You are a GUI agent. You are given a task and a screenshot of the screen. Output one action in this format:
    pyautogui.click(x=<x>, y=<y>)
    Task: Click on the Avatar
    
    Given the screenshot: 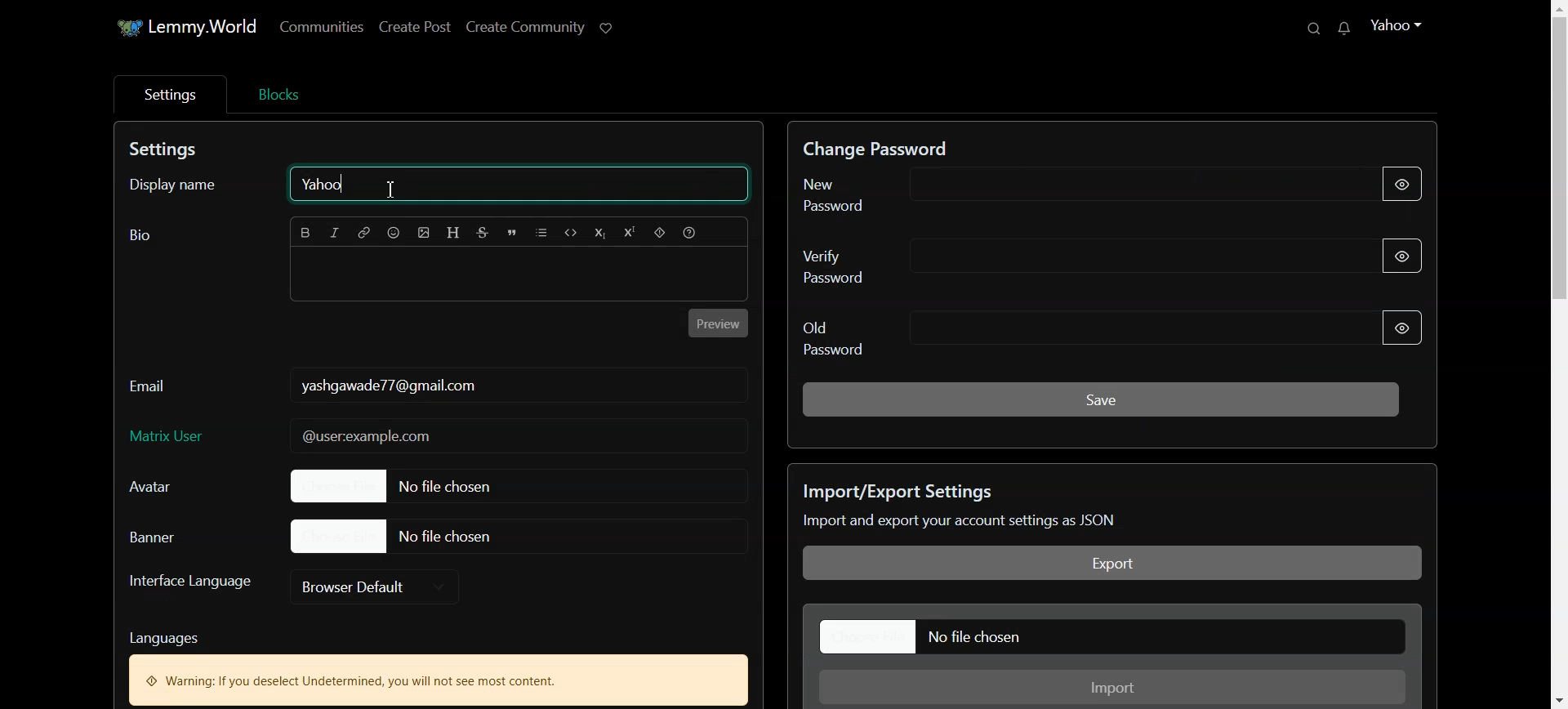 What is the action you would take?
    pyautogui.click(x=167, y=487)
    